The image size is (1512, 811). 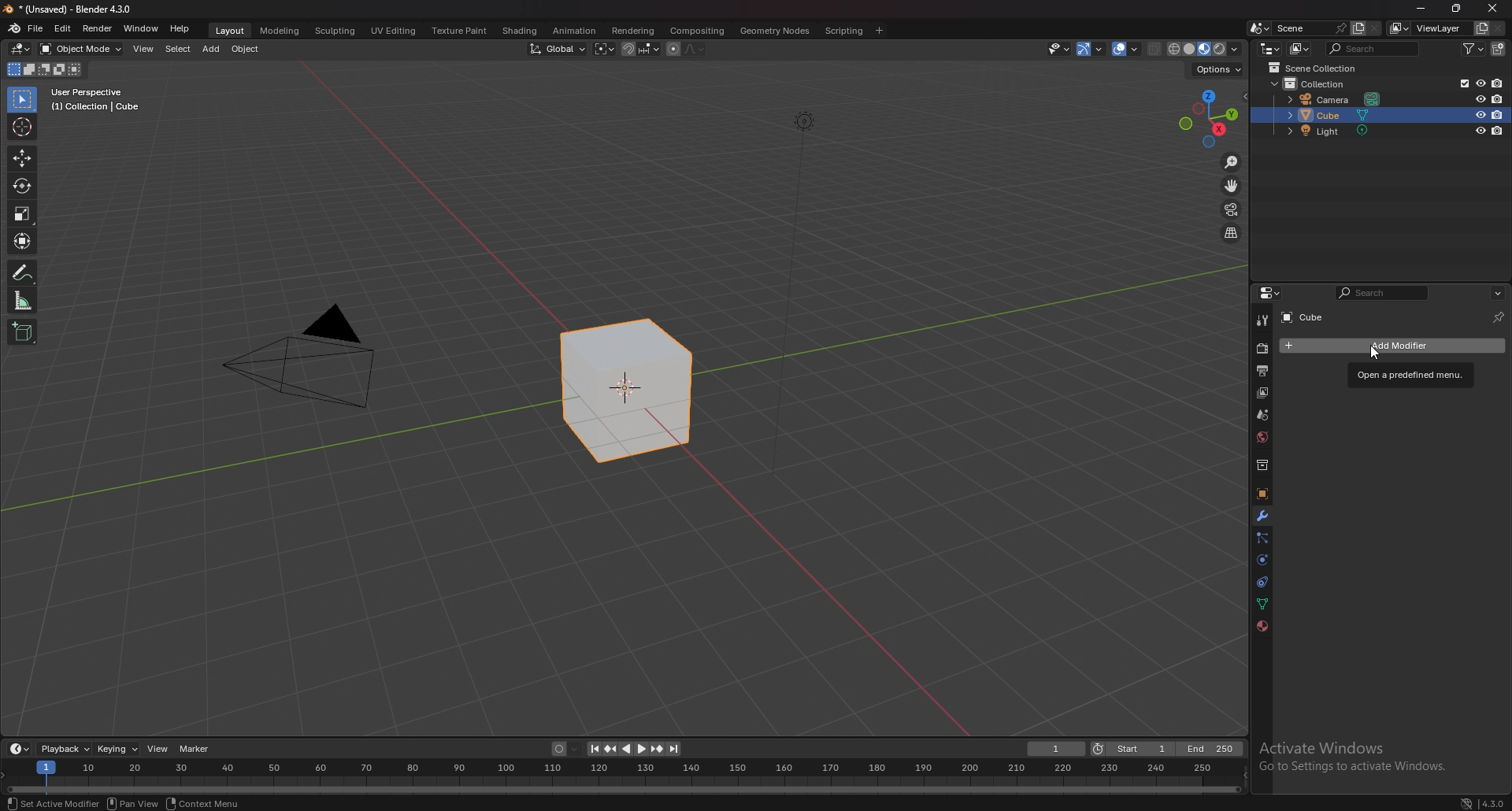 I want to click on add workspace, so click(x=879, y=31).